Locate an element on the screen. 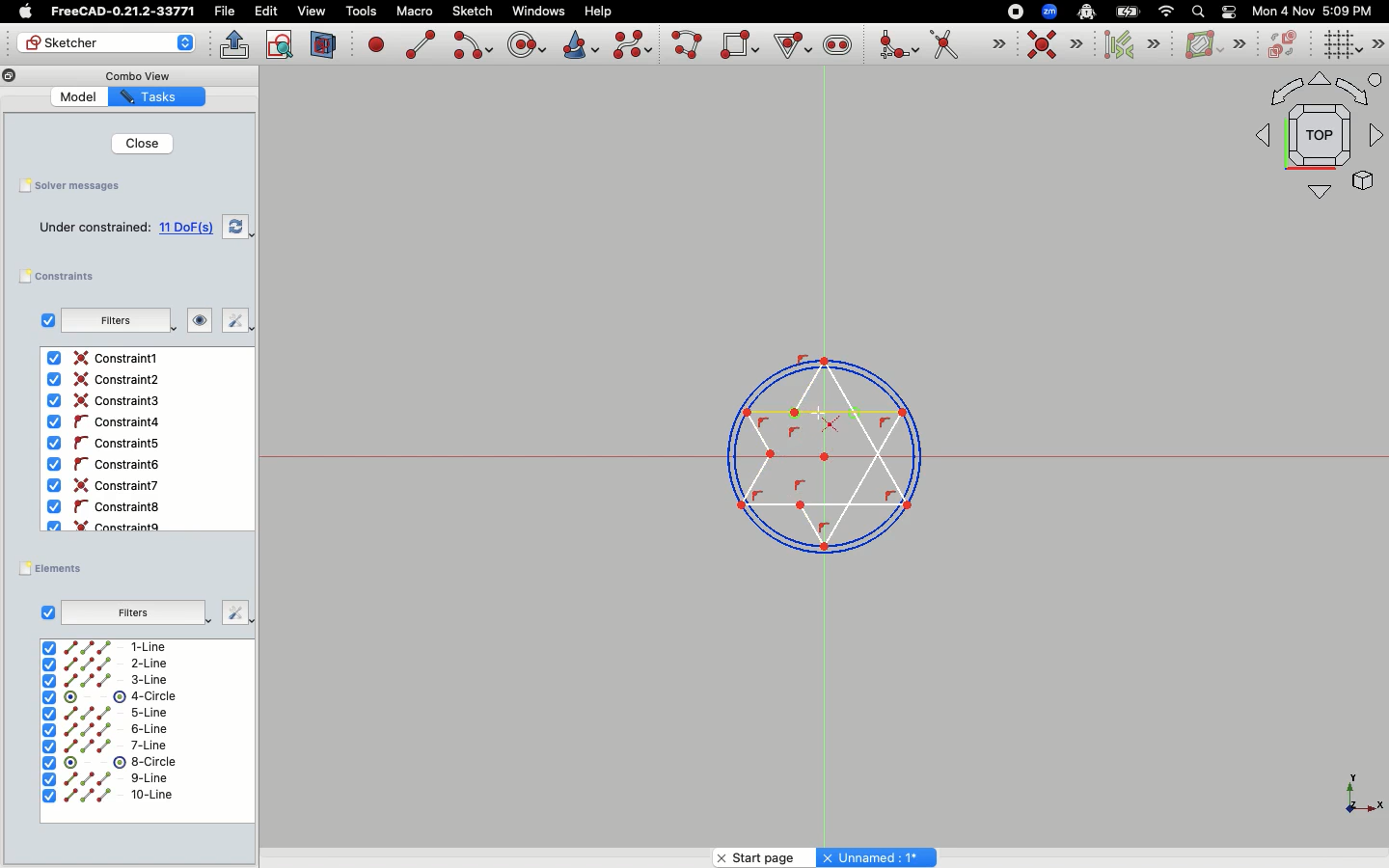 The width and height of the screenshot is (1389, 868). Fix is located at coordinates (231, 321).